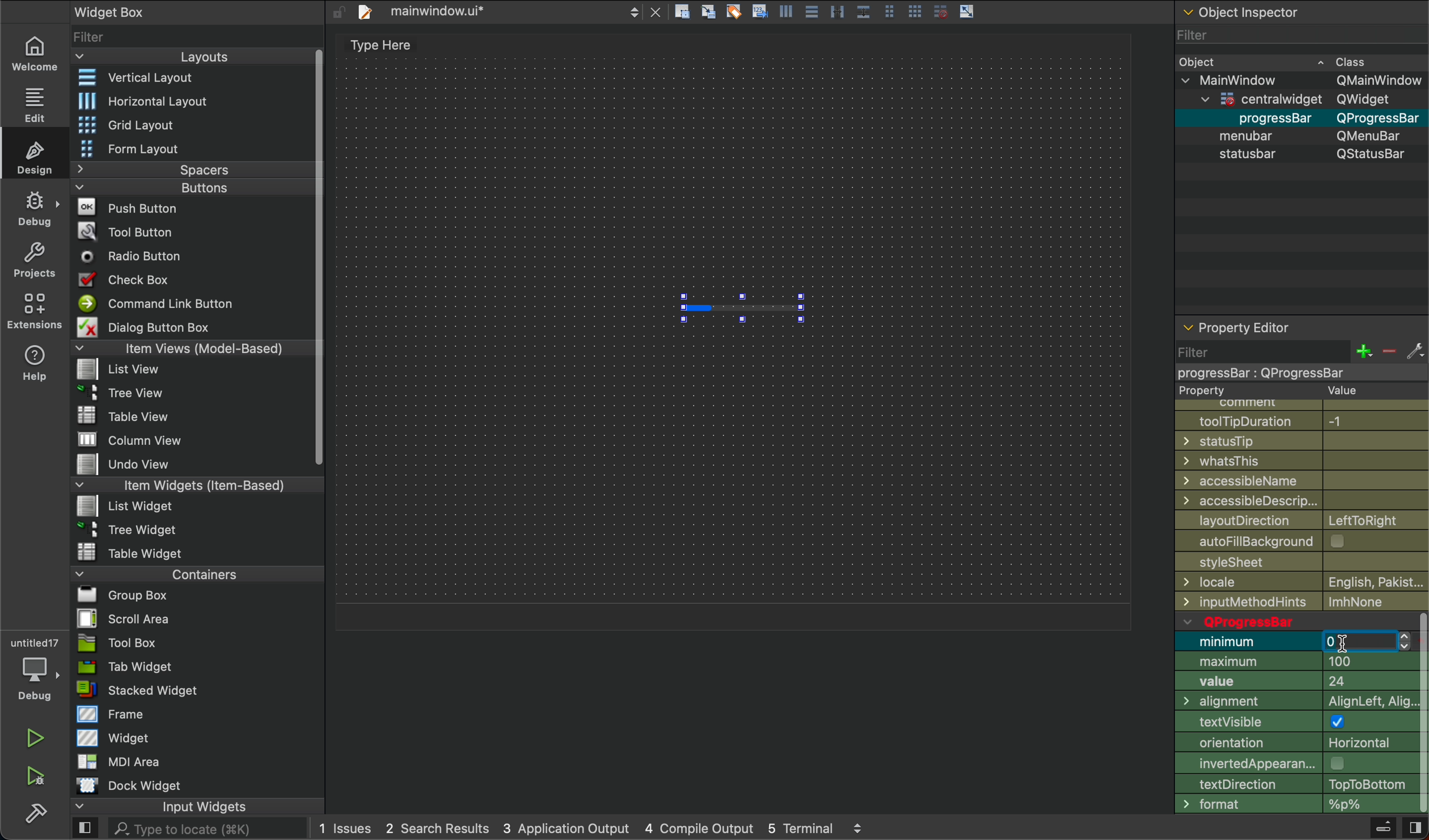 The image size is (1429, 840). What do you see at coordinates (508, 13) in the screenshot?
I see `file tab` at bounding box center [508, 13].